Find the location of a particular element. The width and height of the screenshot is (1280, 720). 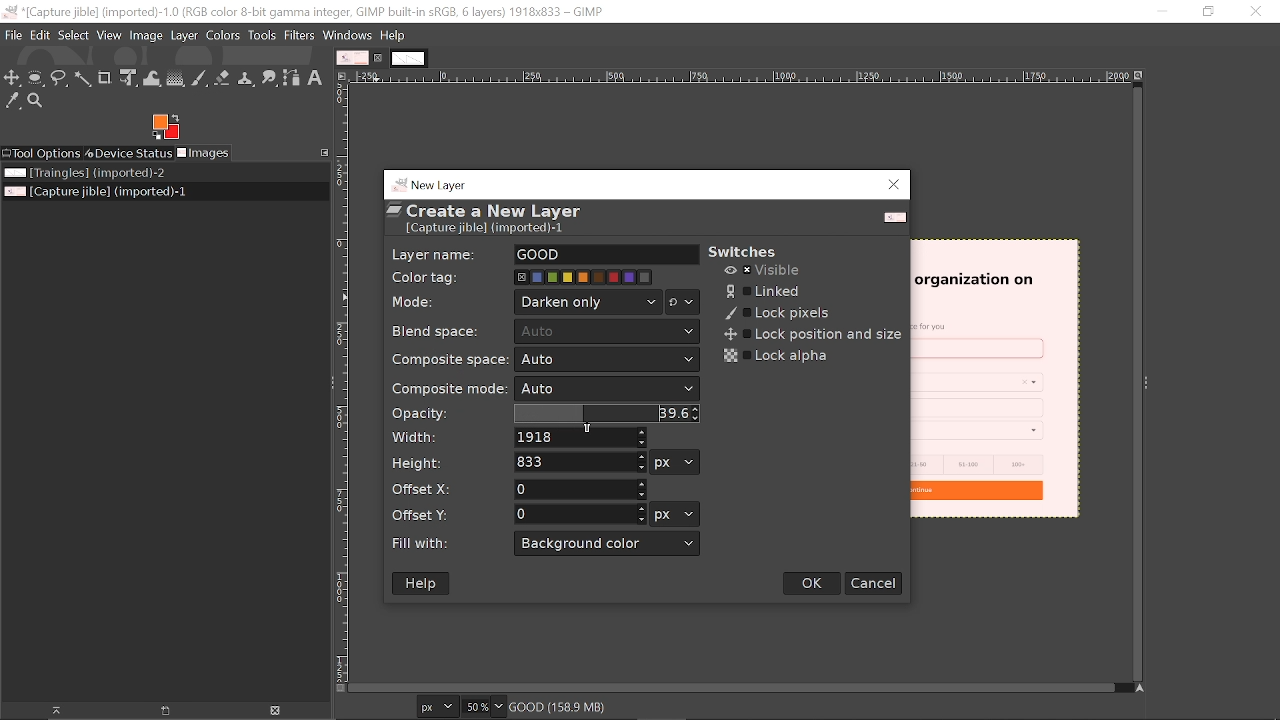

Image is located at coordinates (147, 35).